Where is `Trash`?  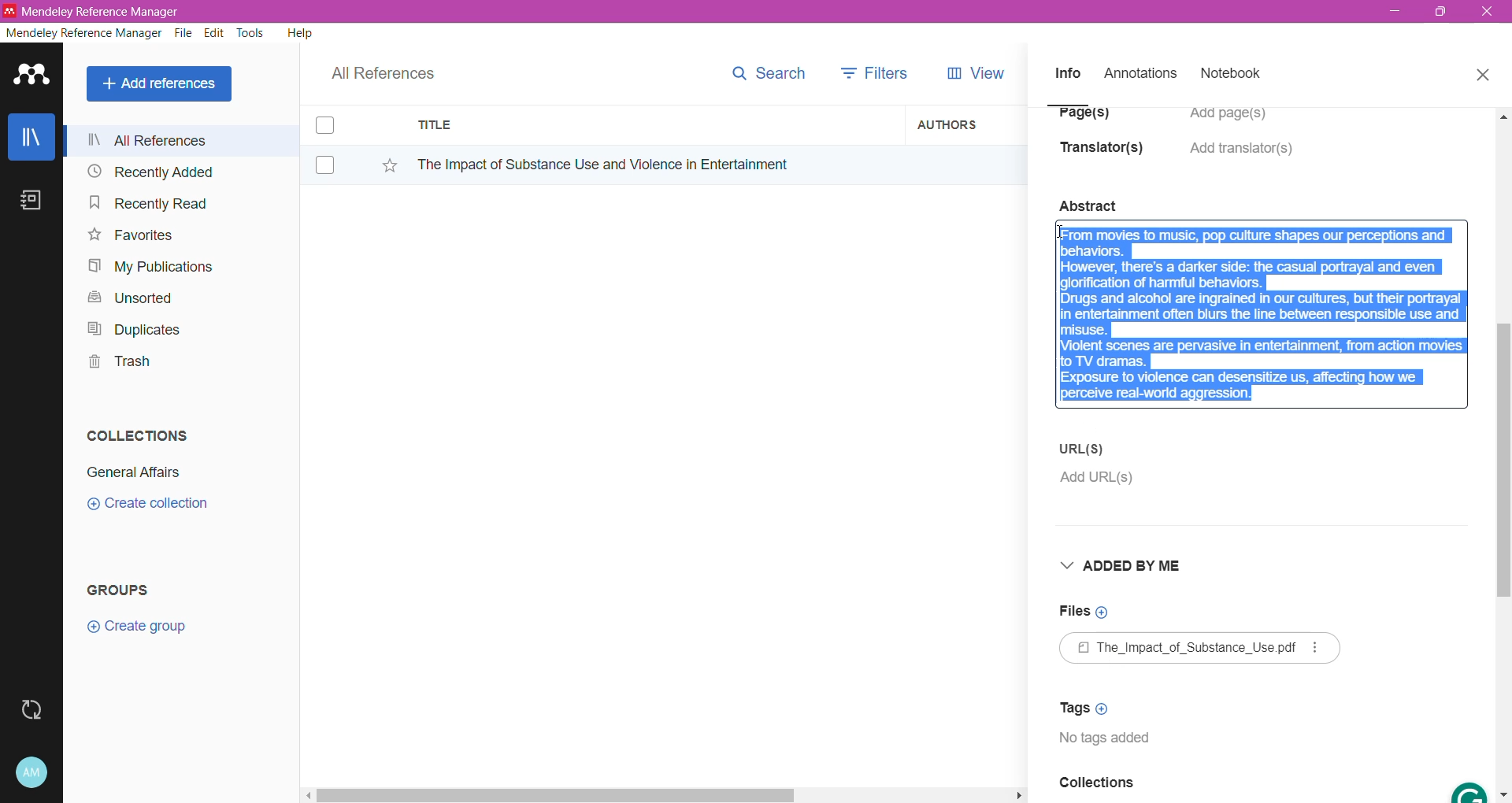 Trash is located at coordinates (115, 364).